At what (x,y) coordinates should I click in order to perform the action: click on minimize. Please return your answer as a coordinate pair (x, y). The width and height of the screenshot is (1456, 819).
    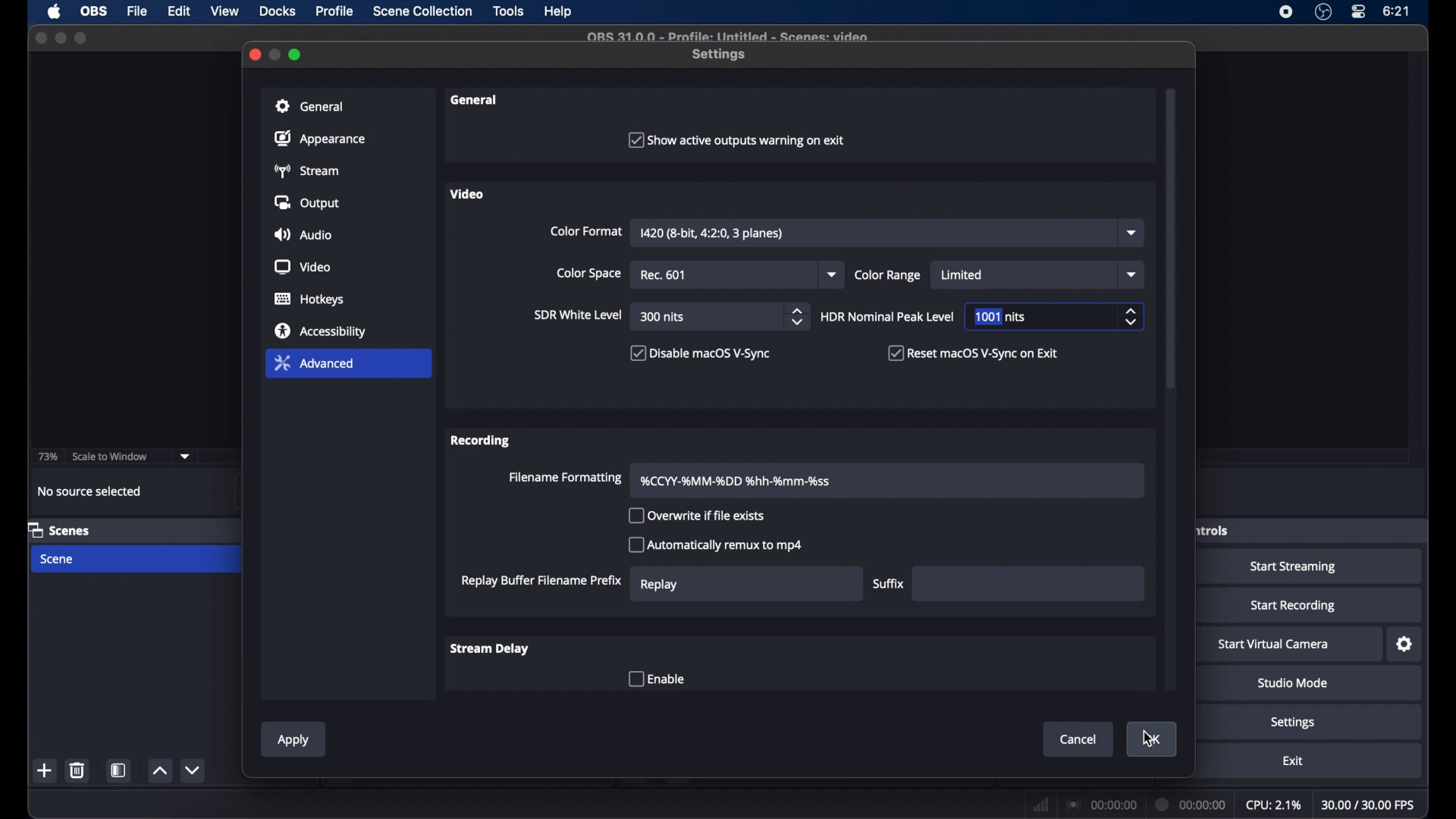
    Looking at the image, I should click on (60, 38).